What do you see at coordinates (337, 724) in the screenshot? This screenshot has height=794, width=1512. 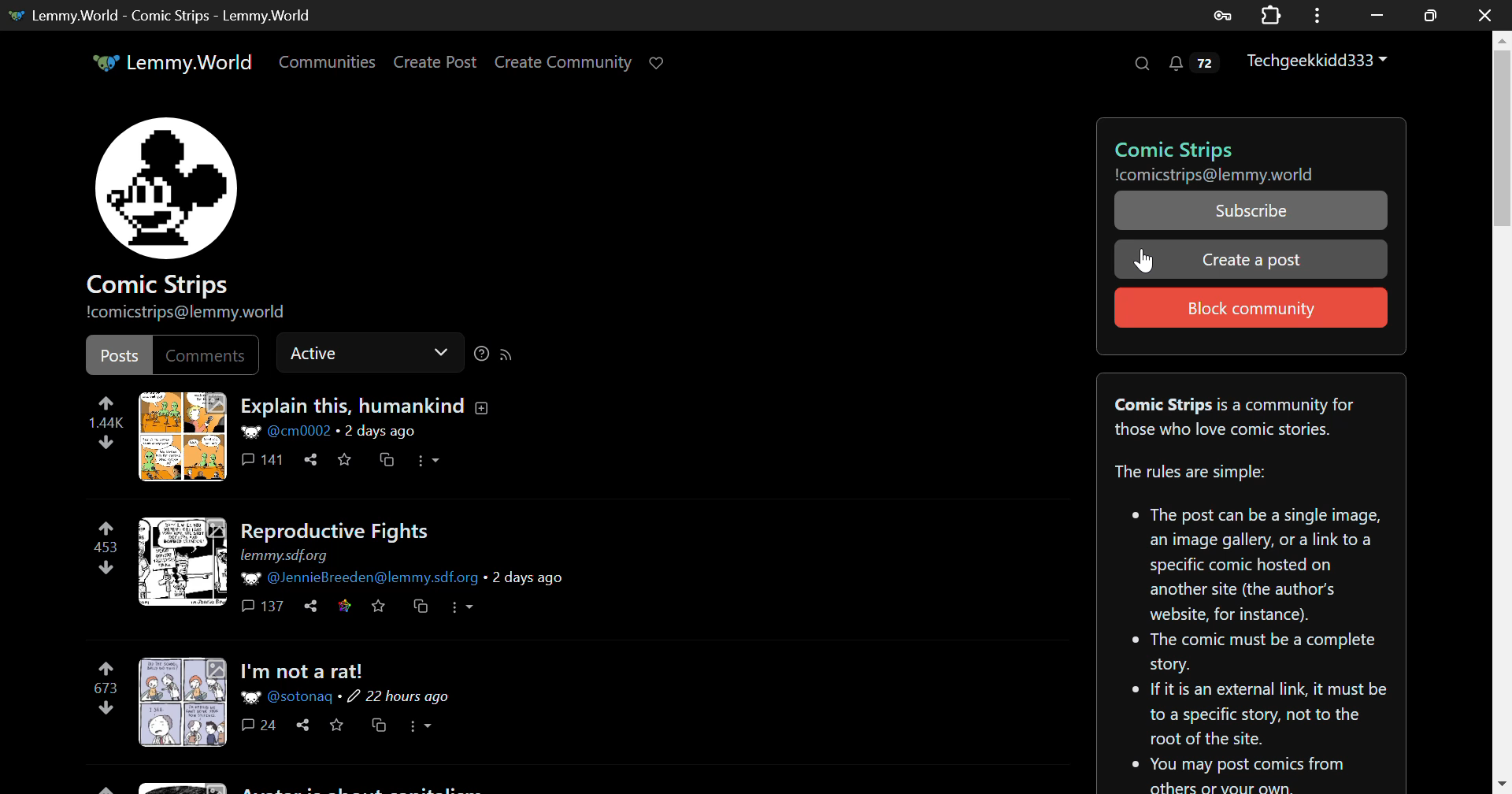 I see `Save` at bounding box center [337, 724].